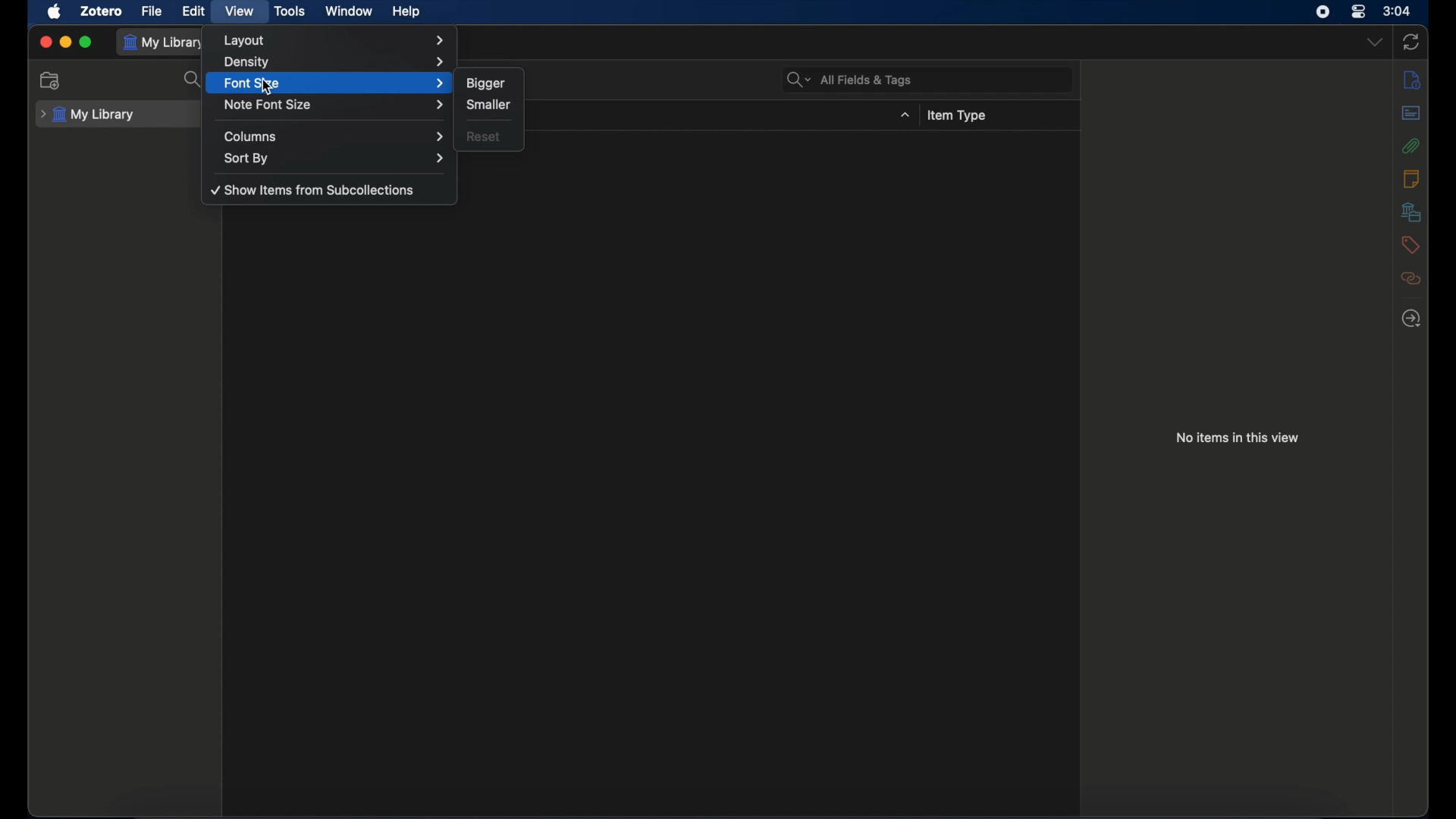 This screenshot has height=819, width=1456. I want to click on maximize, so click(86, 42).